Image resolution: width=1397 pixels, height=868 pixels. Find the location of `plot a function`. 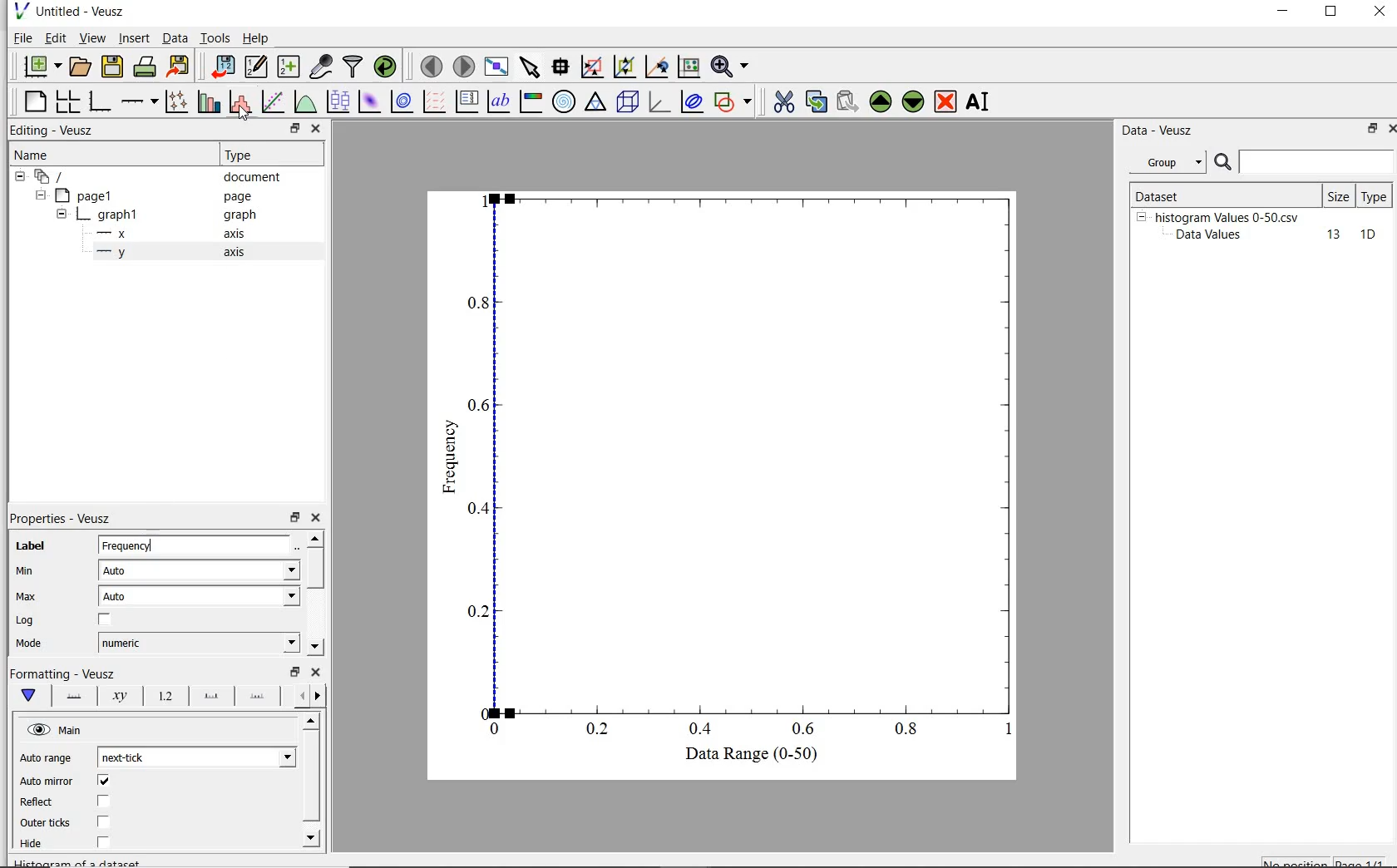

plot a function is located at coordinates (304, 101).